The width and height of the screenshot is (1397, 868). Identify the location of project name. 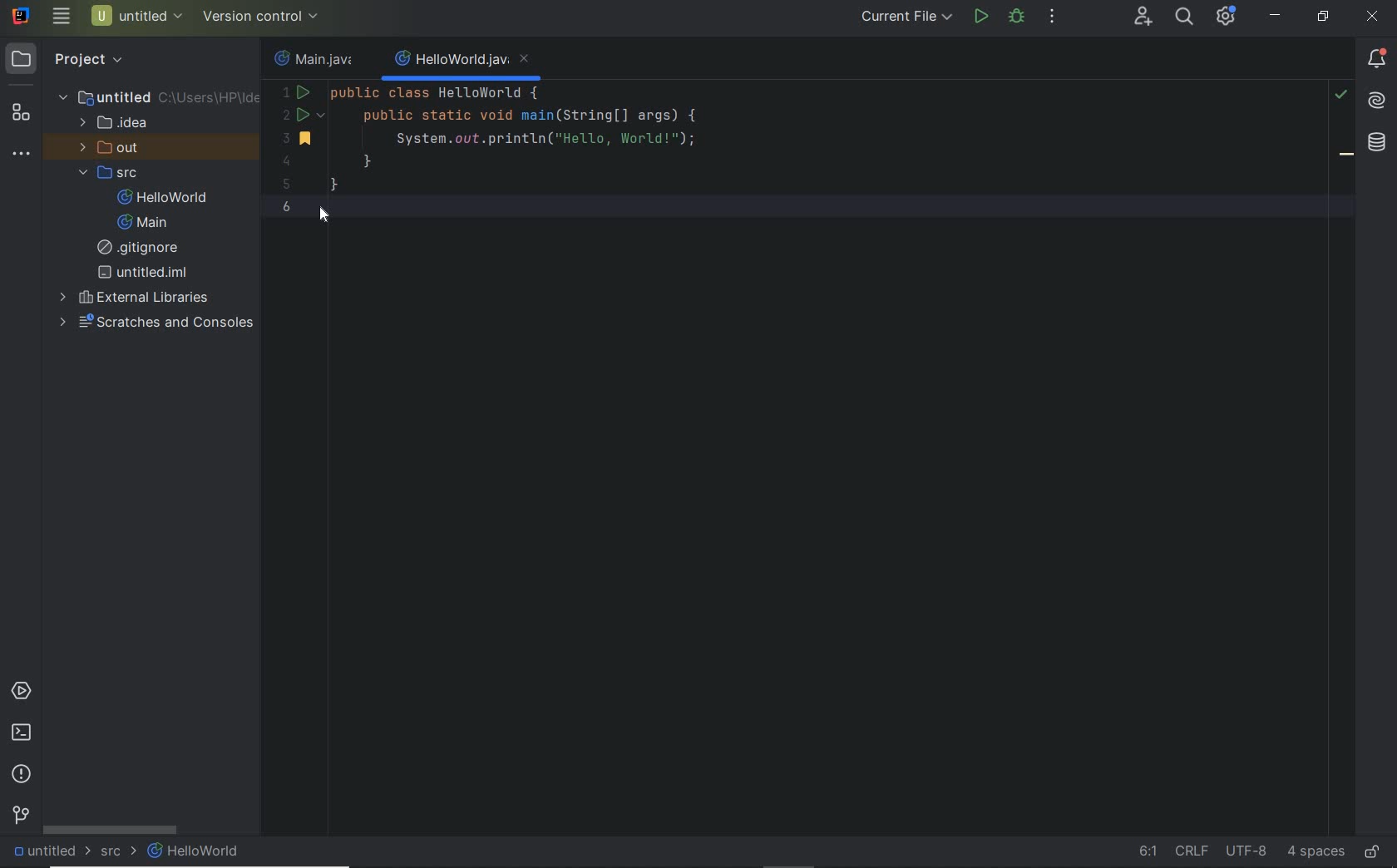
(138, 16).